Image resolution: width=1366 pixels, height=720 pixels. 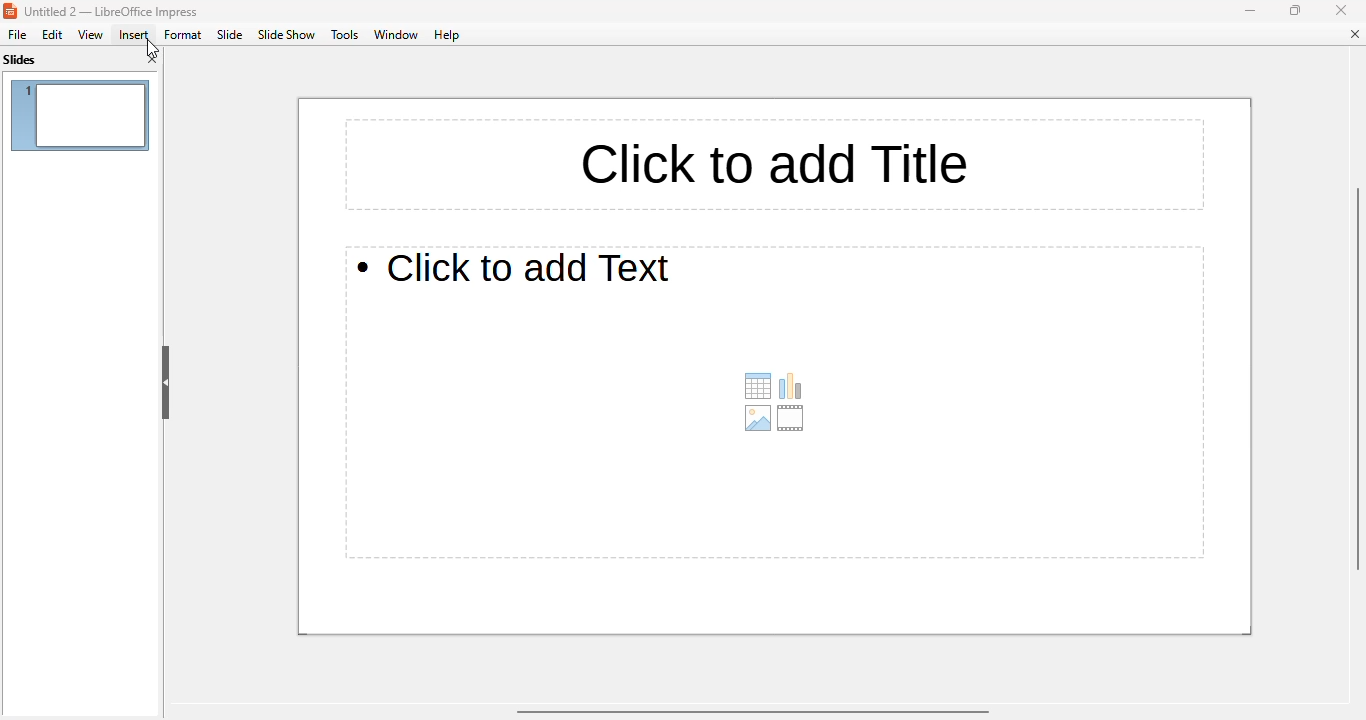 What do you see at coordinates (1295, 10) in the screenshot?
I see `maximize` at bounding box center [1295, 10].